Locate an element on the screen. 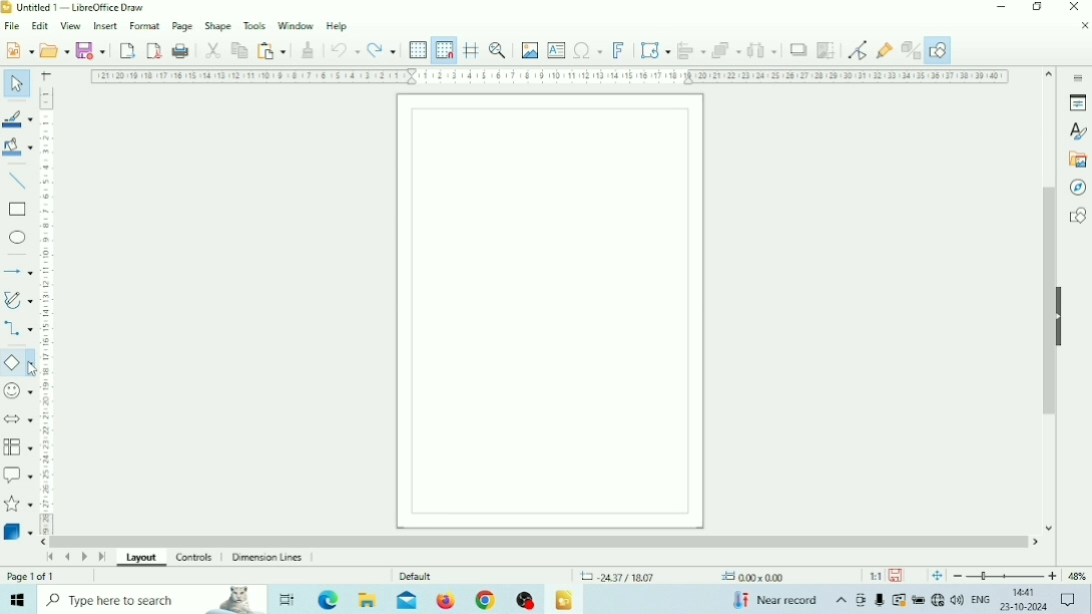  Warning is located at coordinates (897, 600).